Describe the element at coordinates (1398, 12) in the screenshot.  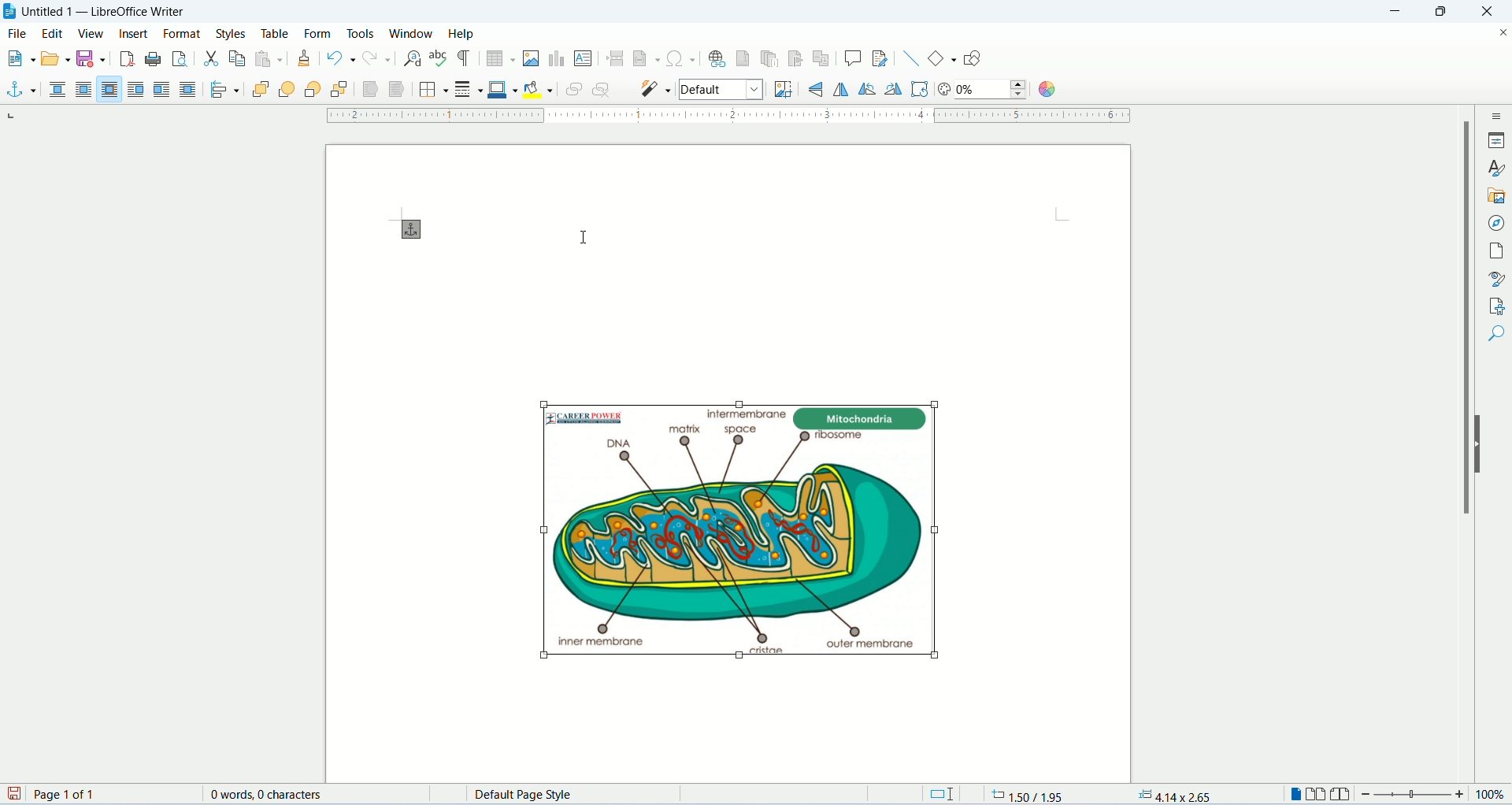
I see `minimize` at that location.